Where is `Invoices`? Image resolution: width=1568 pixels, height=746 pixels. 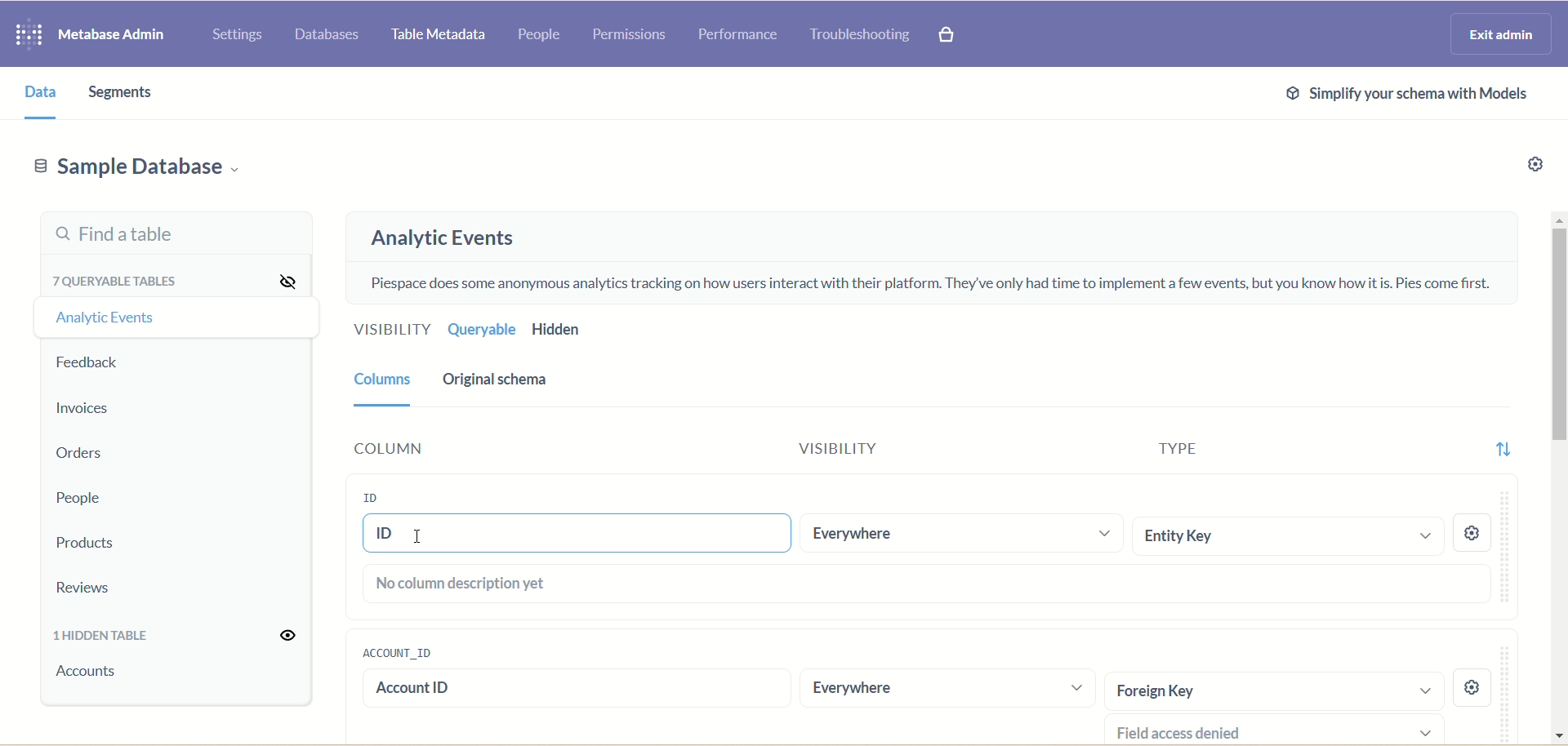
Invoices is located at coordinates (87, 406).